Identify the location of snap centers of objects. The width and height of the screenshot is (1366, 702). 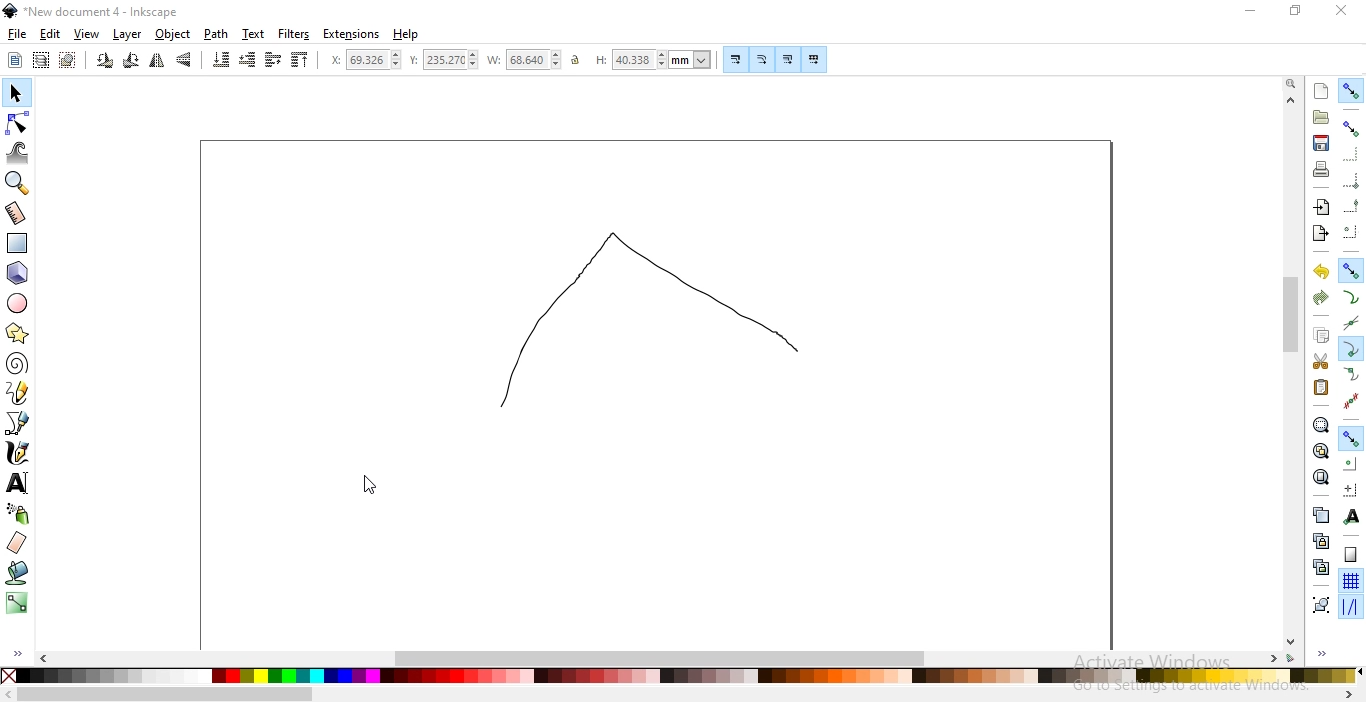
(1349, 462).